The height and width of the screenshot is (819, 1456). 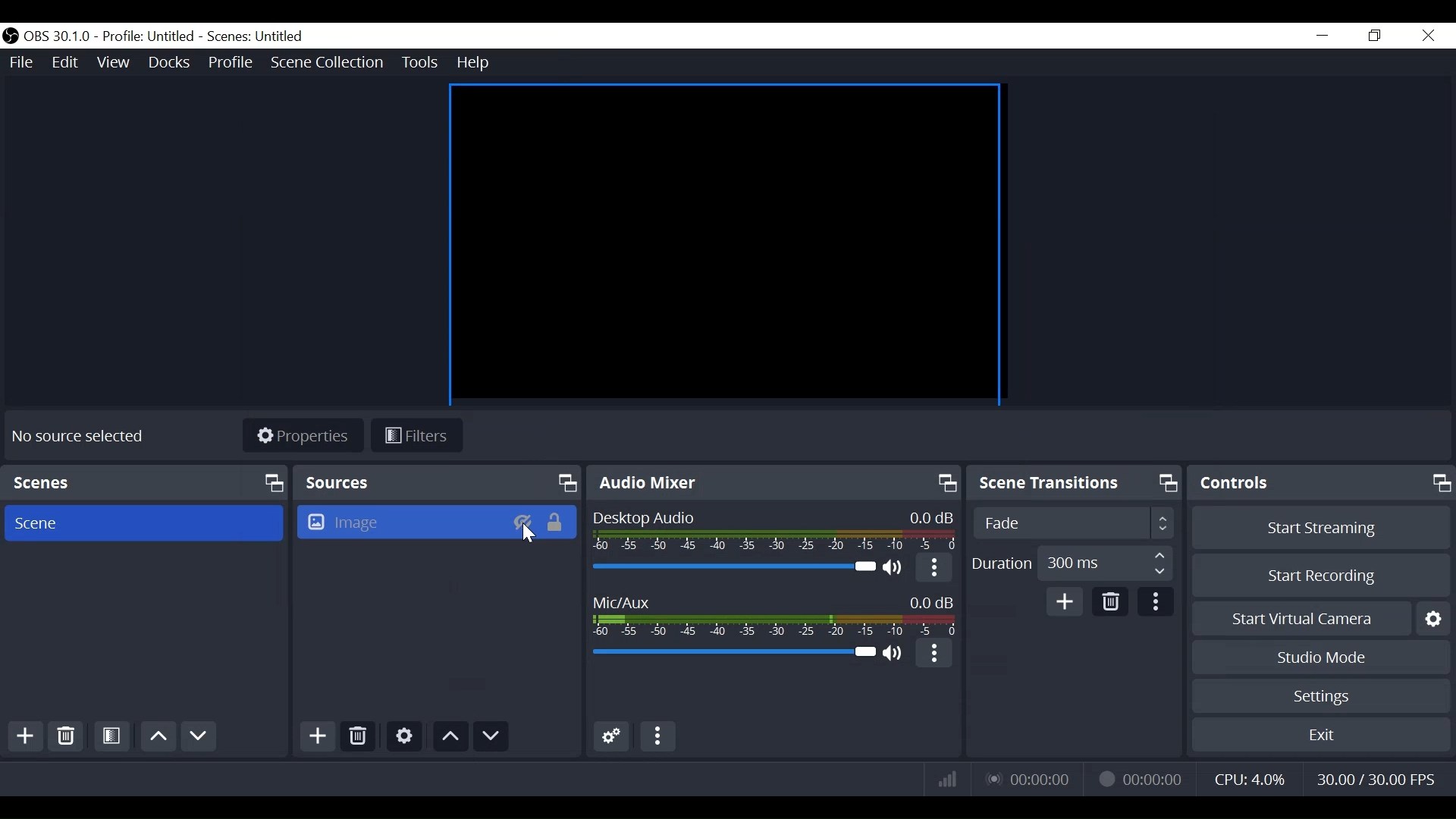 I want to click on Delete, so click(x=358, y=737).